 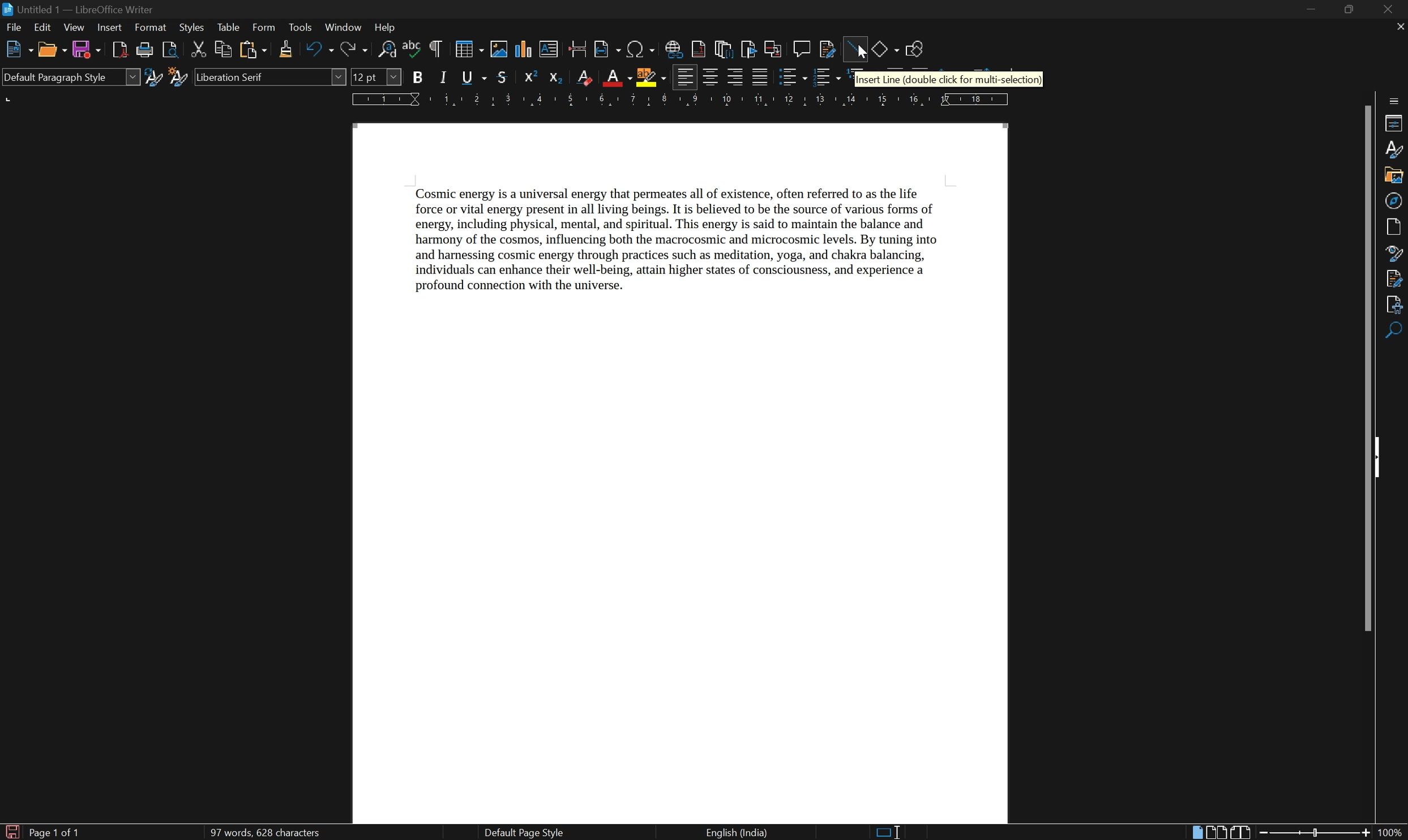 What do you see at coordinates (191, 27) in the screenshot?
I see `styles` at bounding box center [191, 27].